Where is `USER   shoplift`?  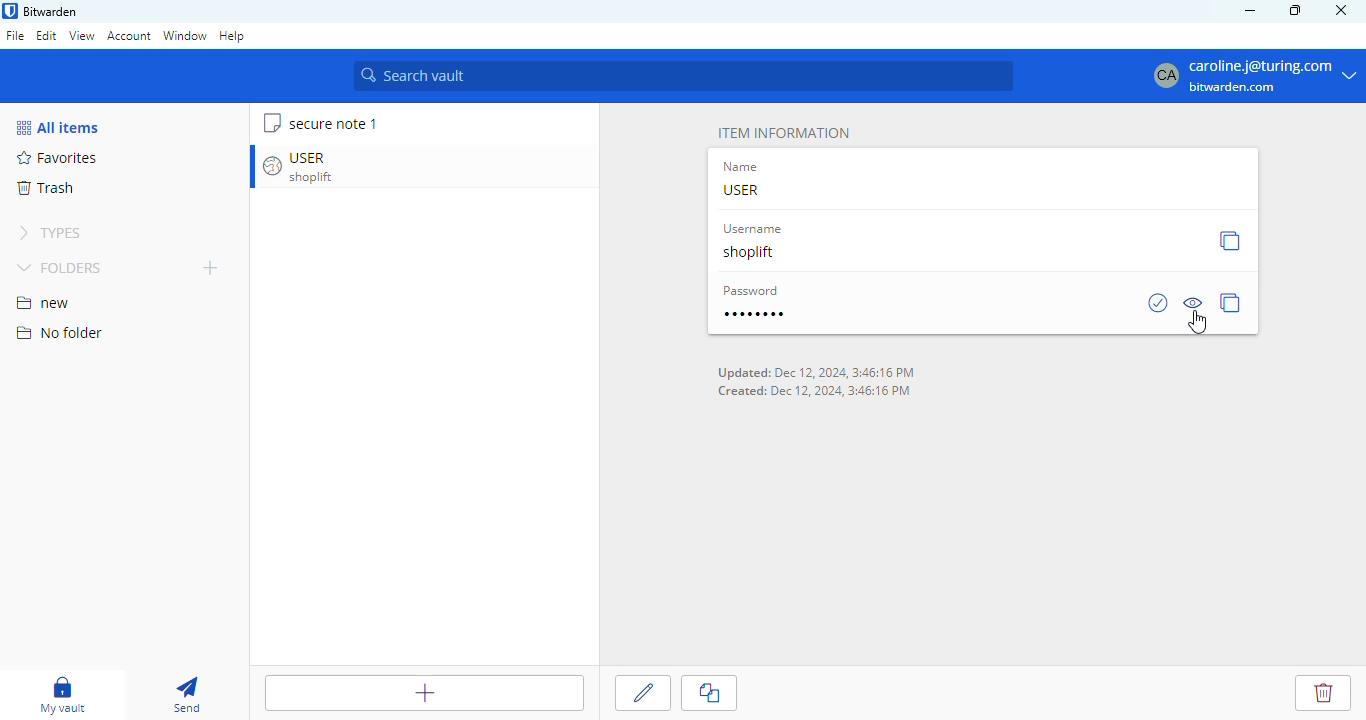 USER   shoplift is located at coordinates (317, 167).